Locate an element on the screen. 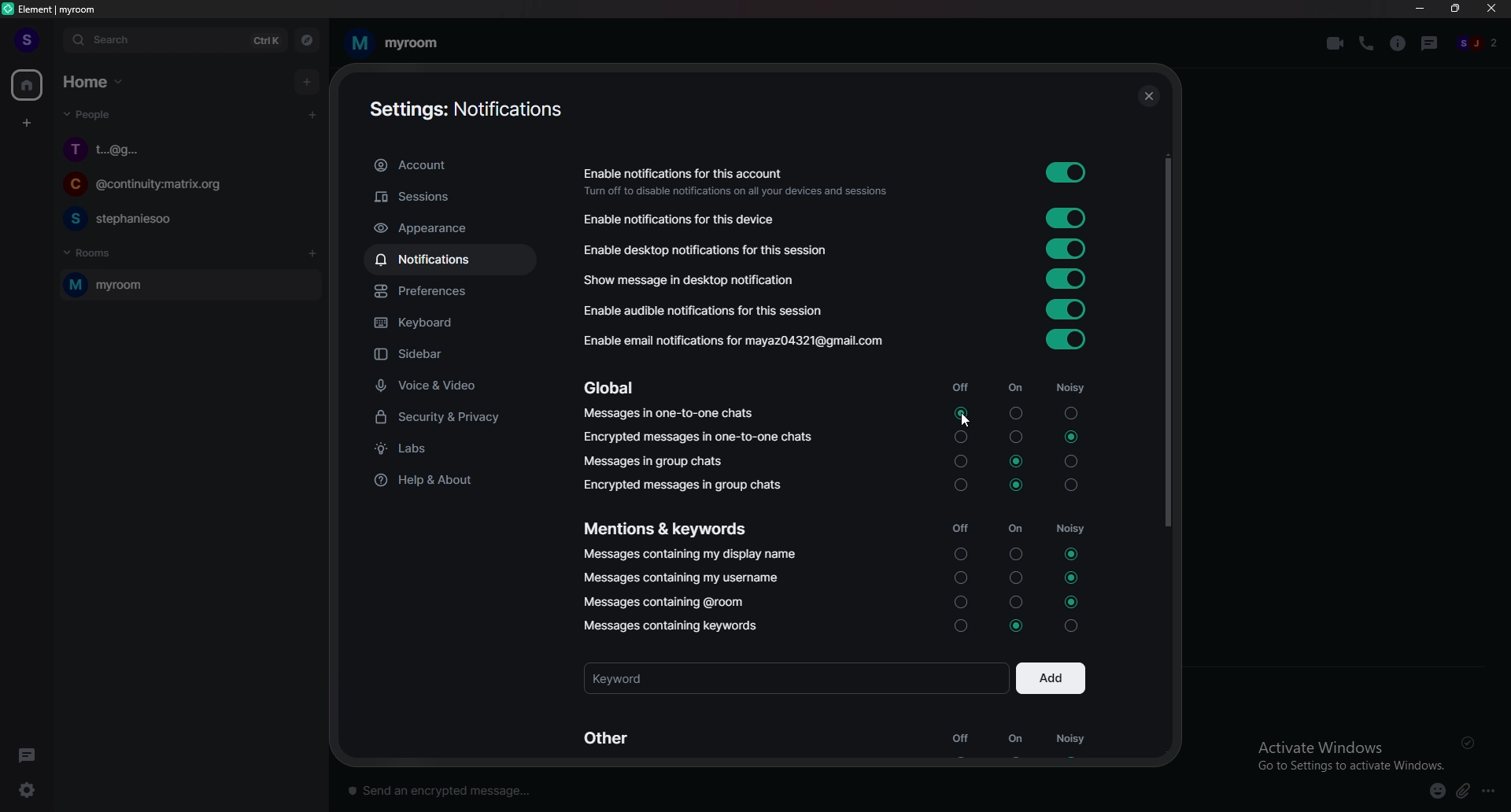 Image resolution: width=1511 pixels, height=812 pixels. toggle is located at coordinates (1067, 219).